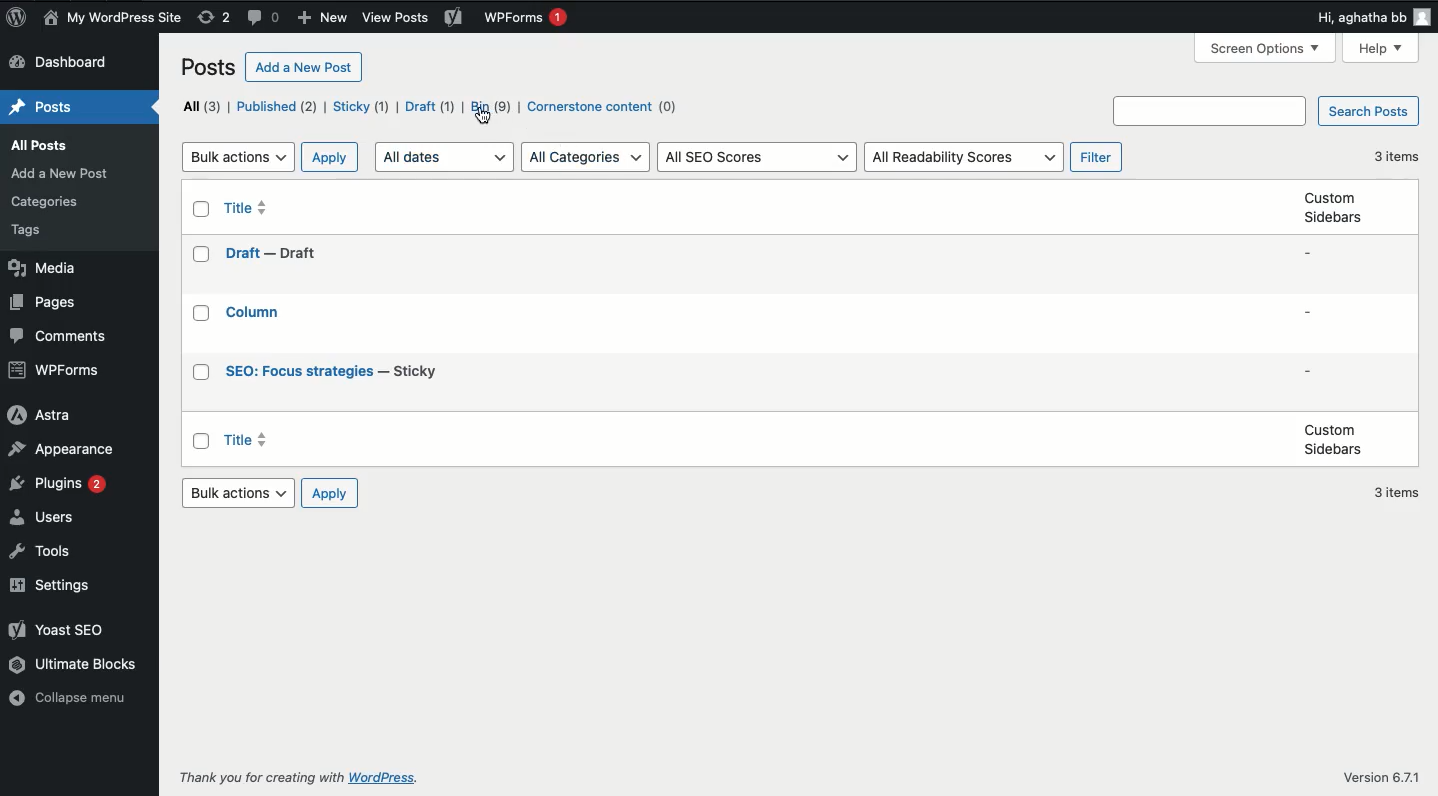 The height and width of the screenshot is (796, 1438). Describe the element at coordinates (32, 230) in the screenshot. I see `tags` at that location.